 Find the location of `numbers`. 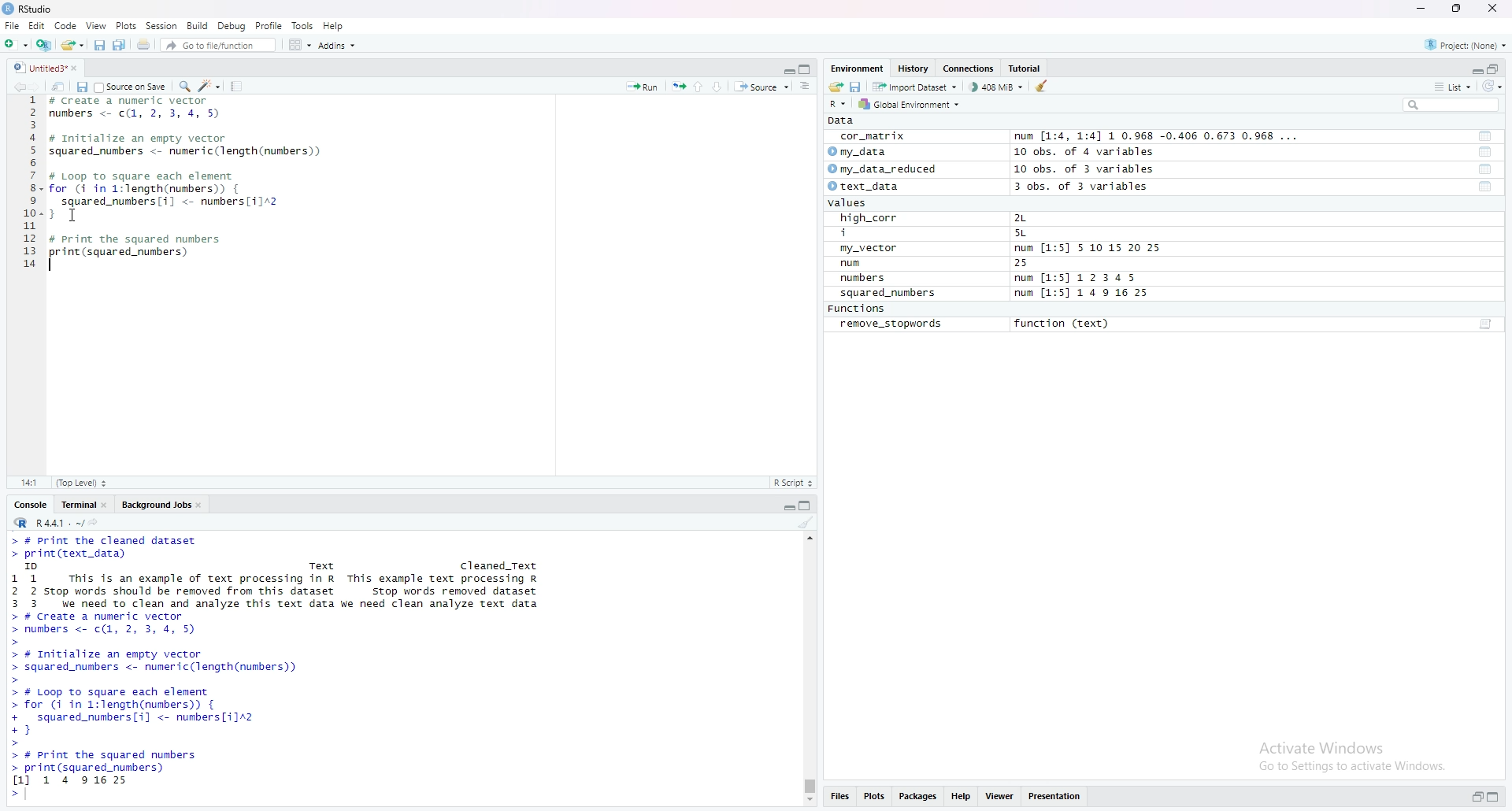

numbers is located at coordinates (866, 279).